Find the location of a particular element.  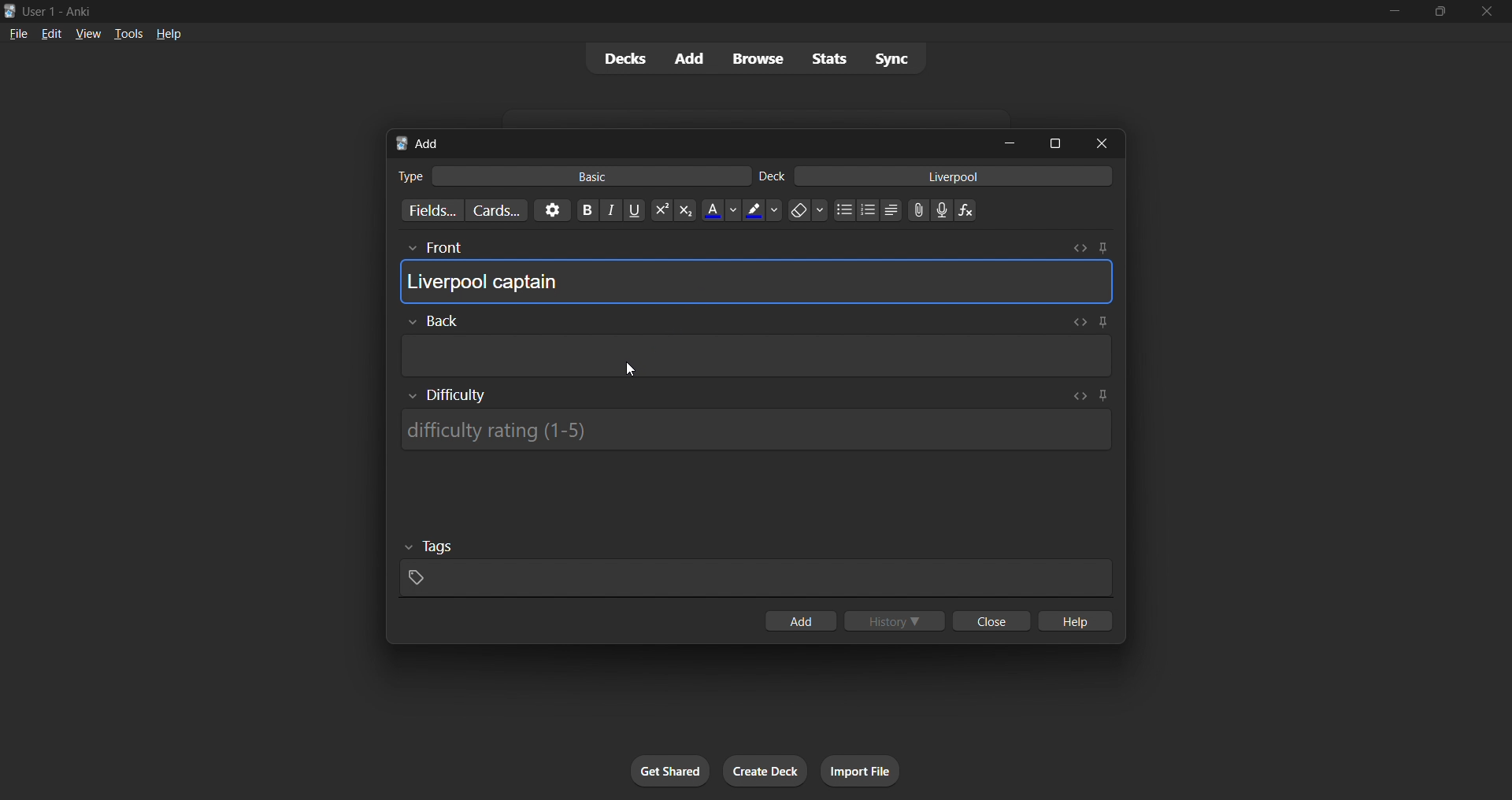

decks is located at coordinates (623, 59).